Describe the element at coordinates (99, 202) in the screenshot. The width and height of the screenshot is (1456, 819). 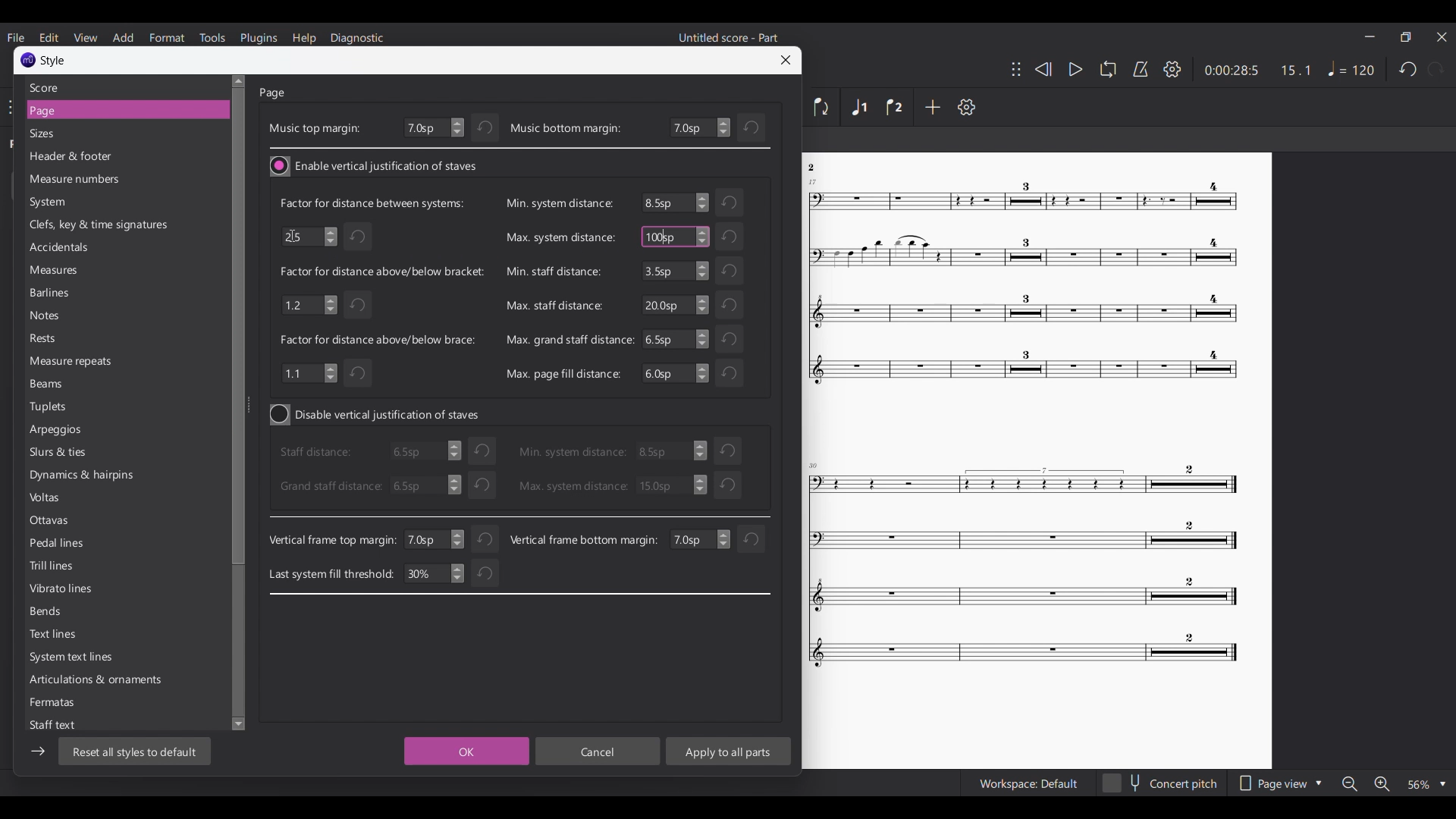
I see `System` at that location.